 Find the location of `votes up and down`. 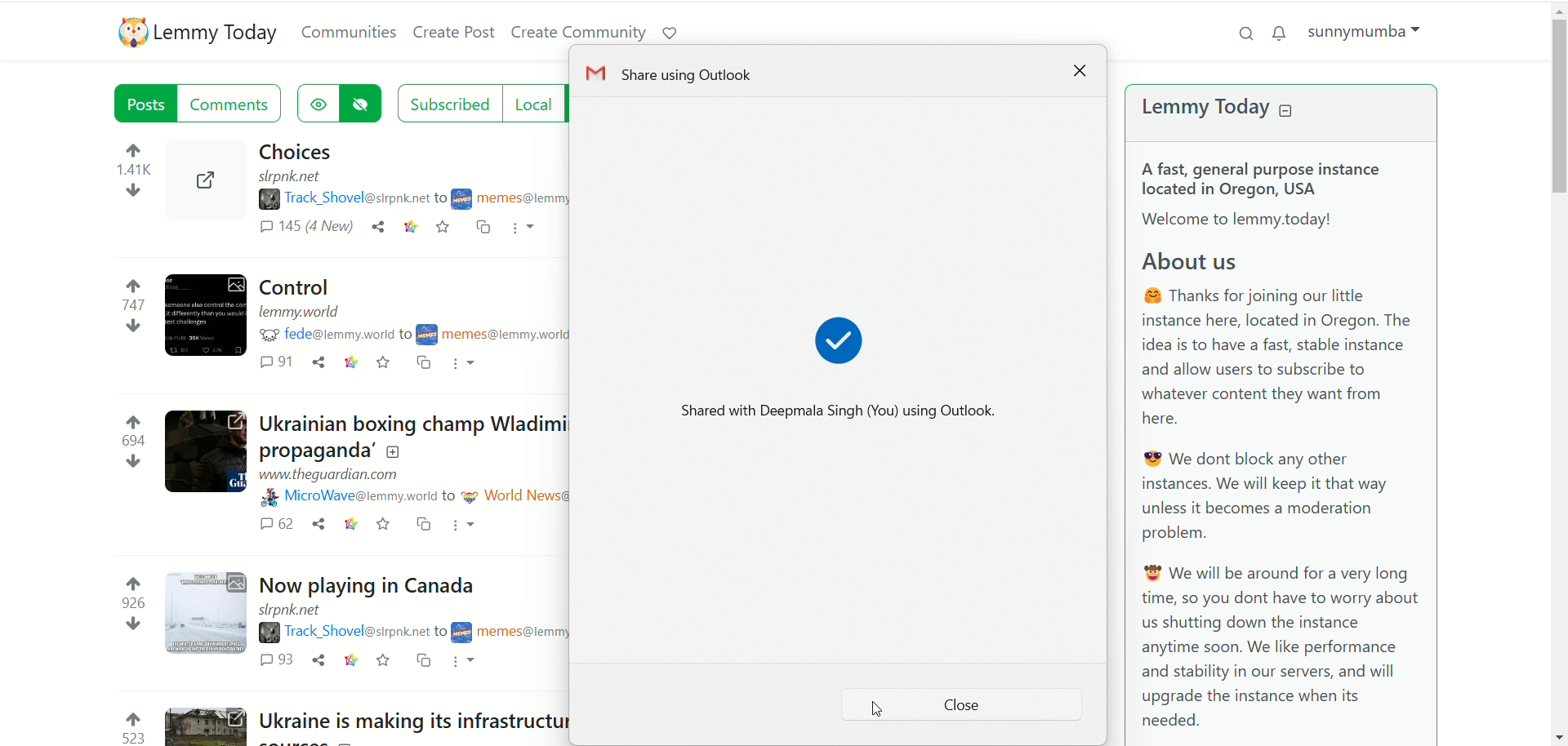

votes up and down is located at coordinates (130, 442).